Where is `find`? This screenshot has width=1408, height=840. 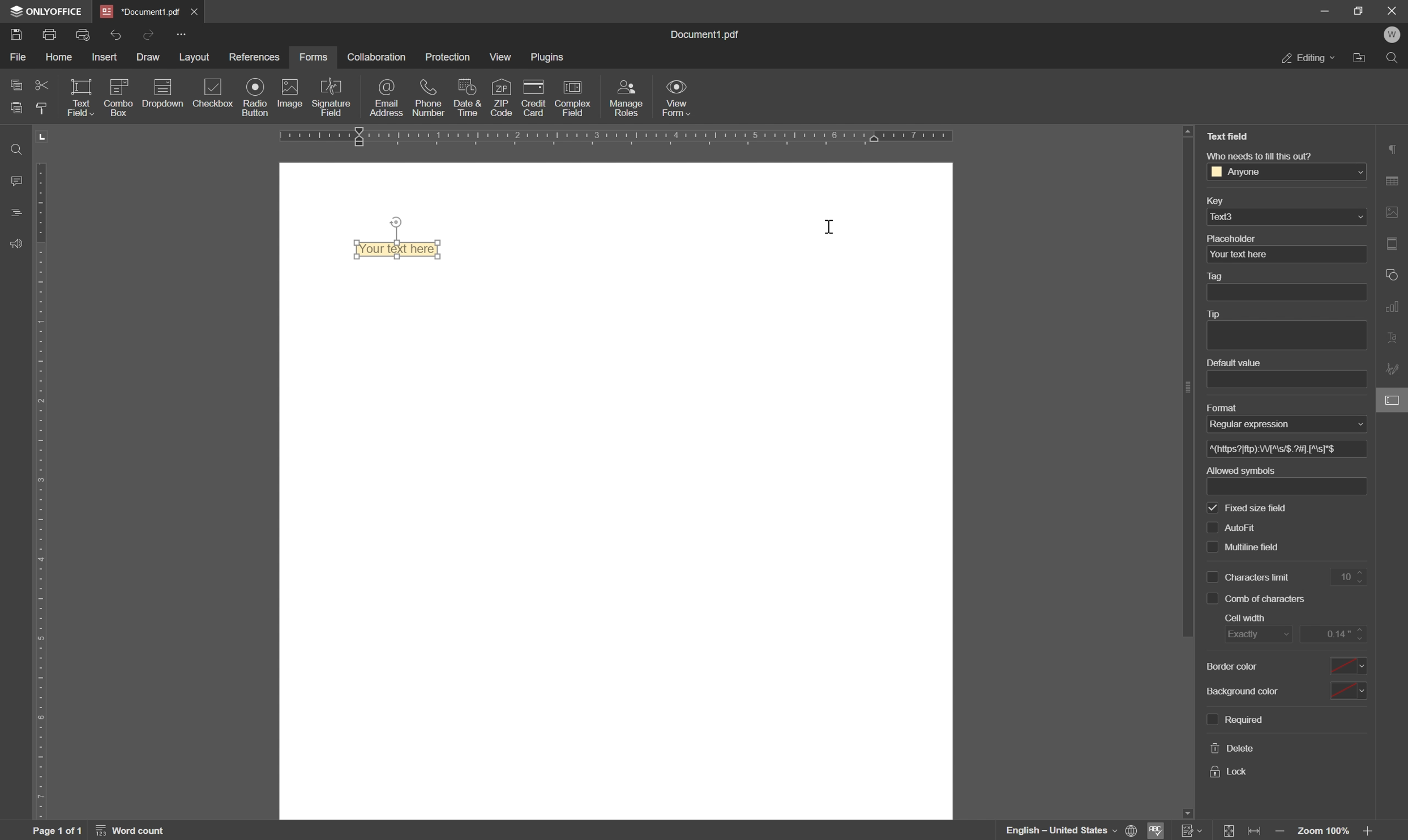
find is located at coordinates (13, 148).